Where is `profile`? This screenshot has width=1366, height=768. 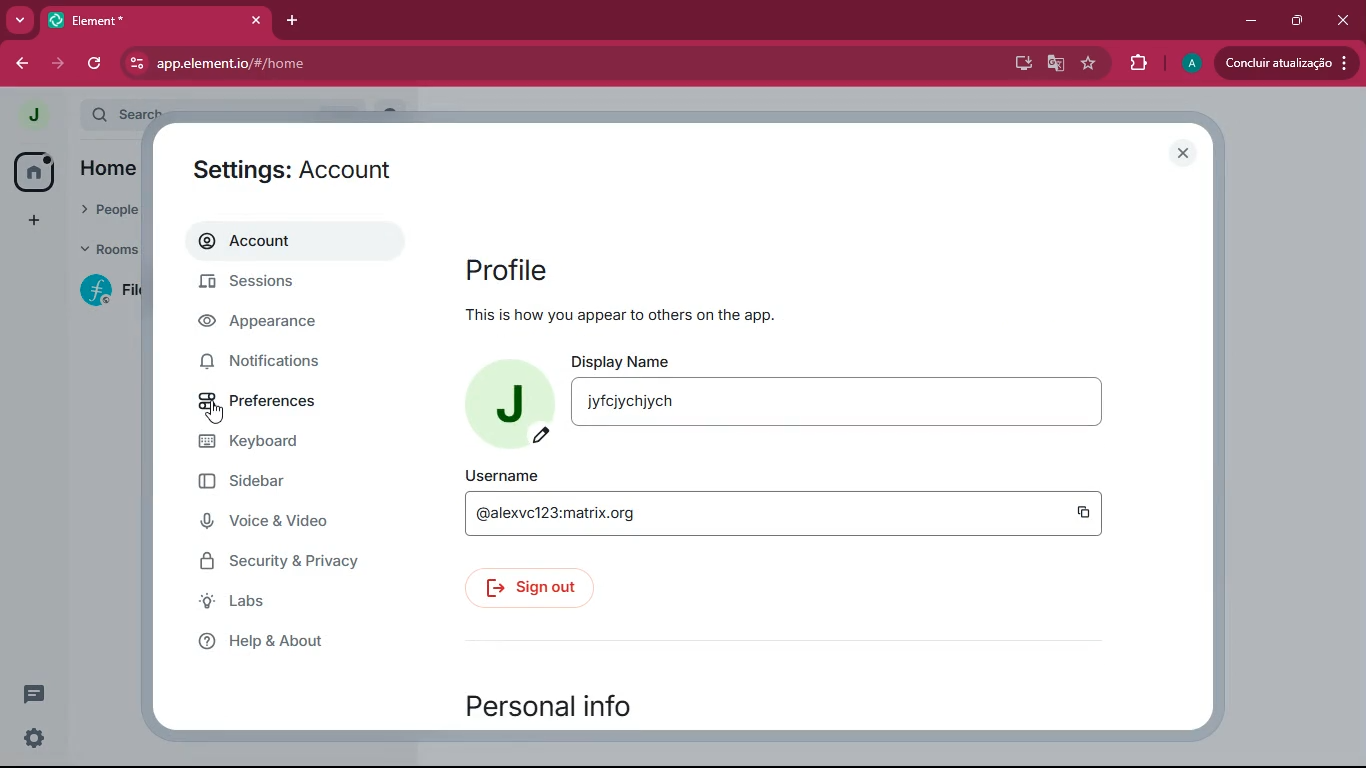 profile is located at coordinates (510, 268).